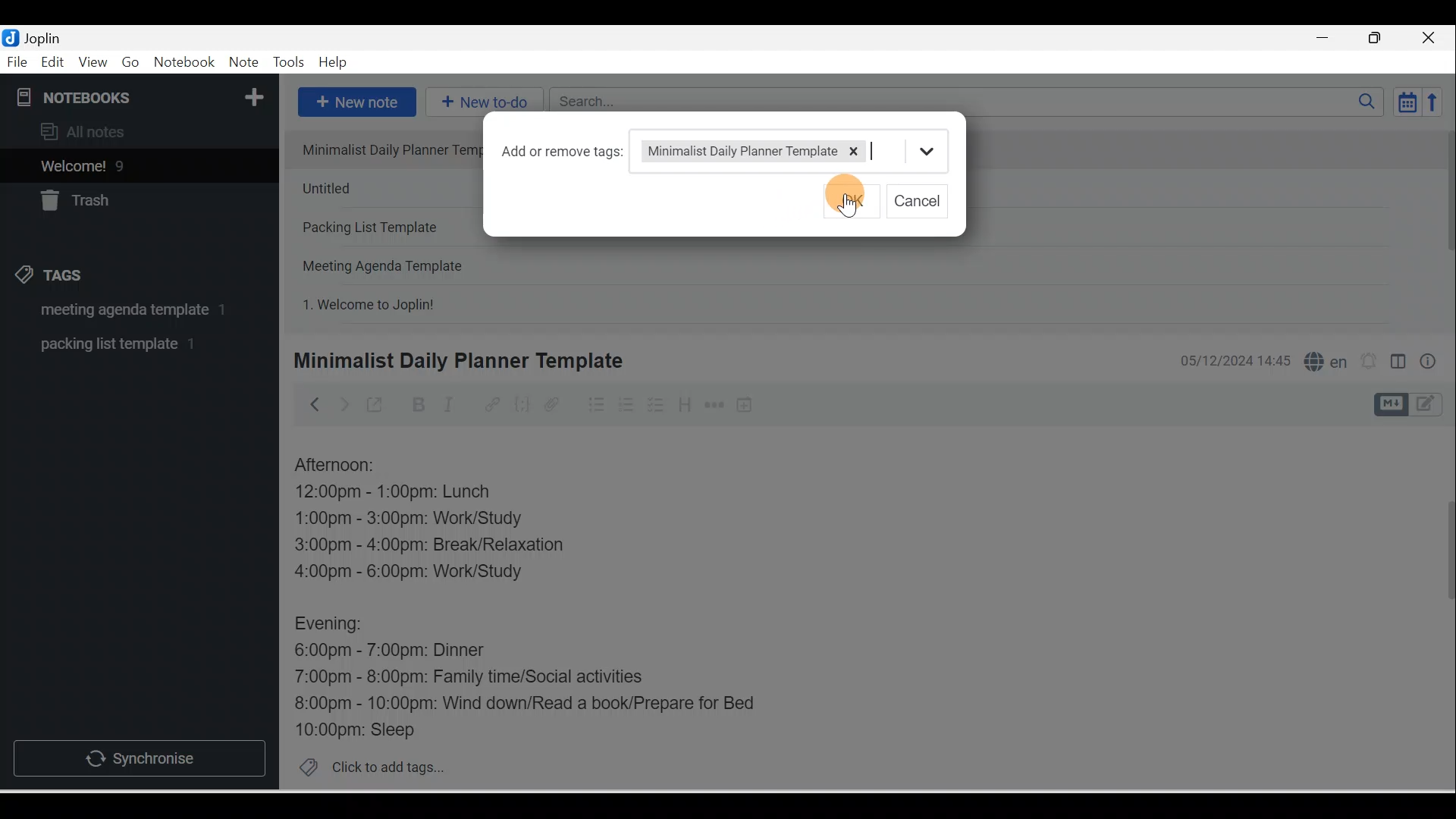  I want to click on 10:00pm: Sleep, so click(363, 729).